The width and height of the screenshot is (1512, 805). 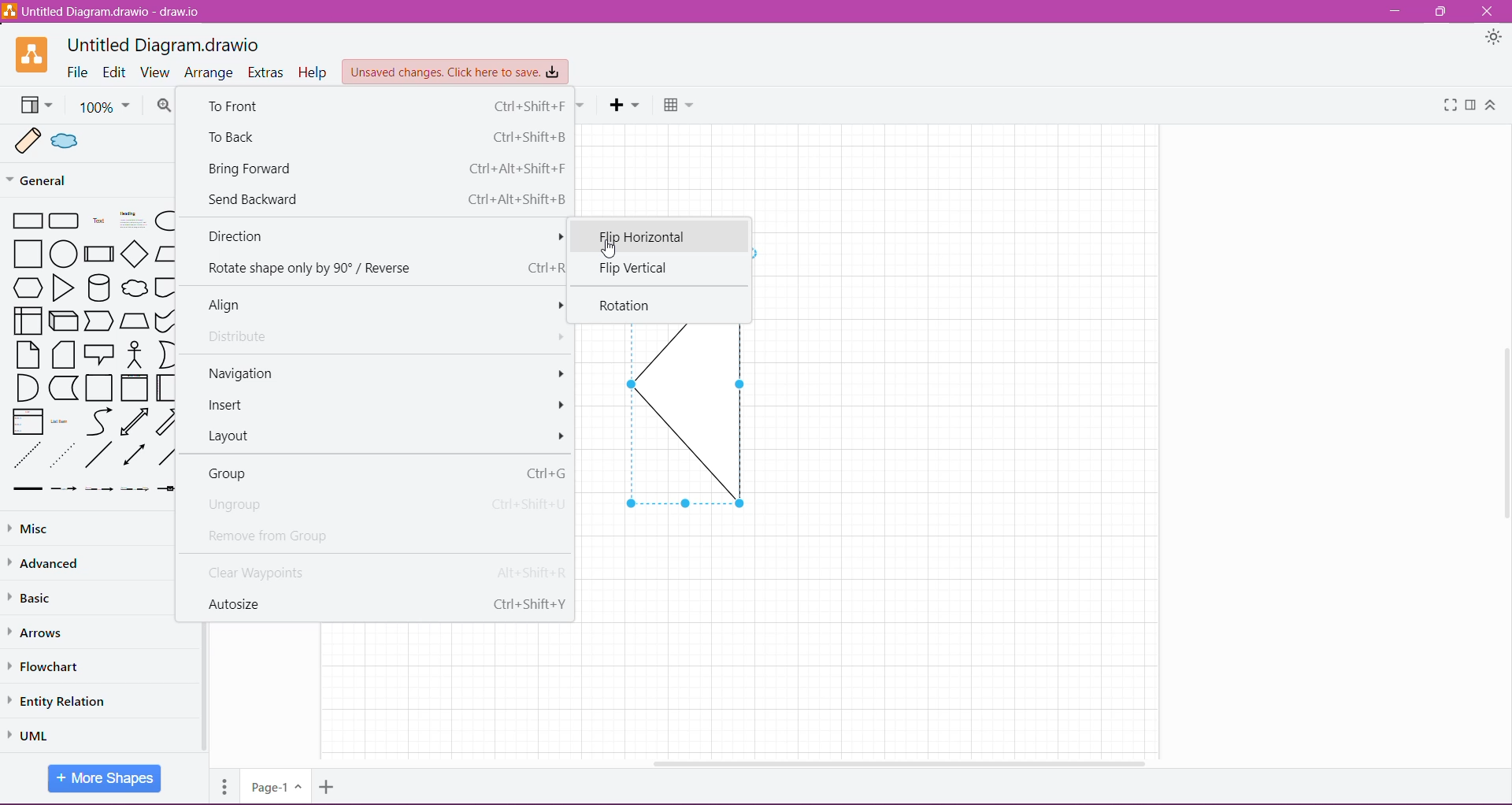 What do you see at coordinates (106, 142) in the screenshot?
I see `Sample shapes in Scratchpad` at bounding box center [106, 142].